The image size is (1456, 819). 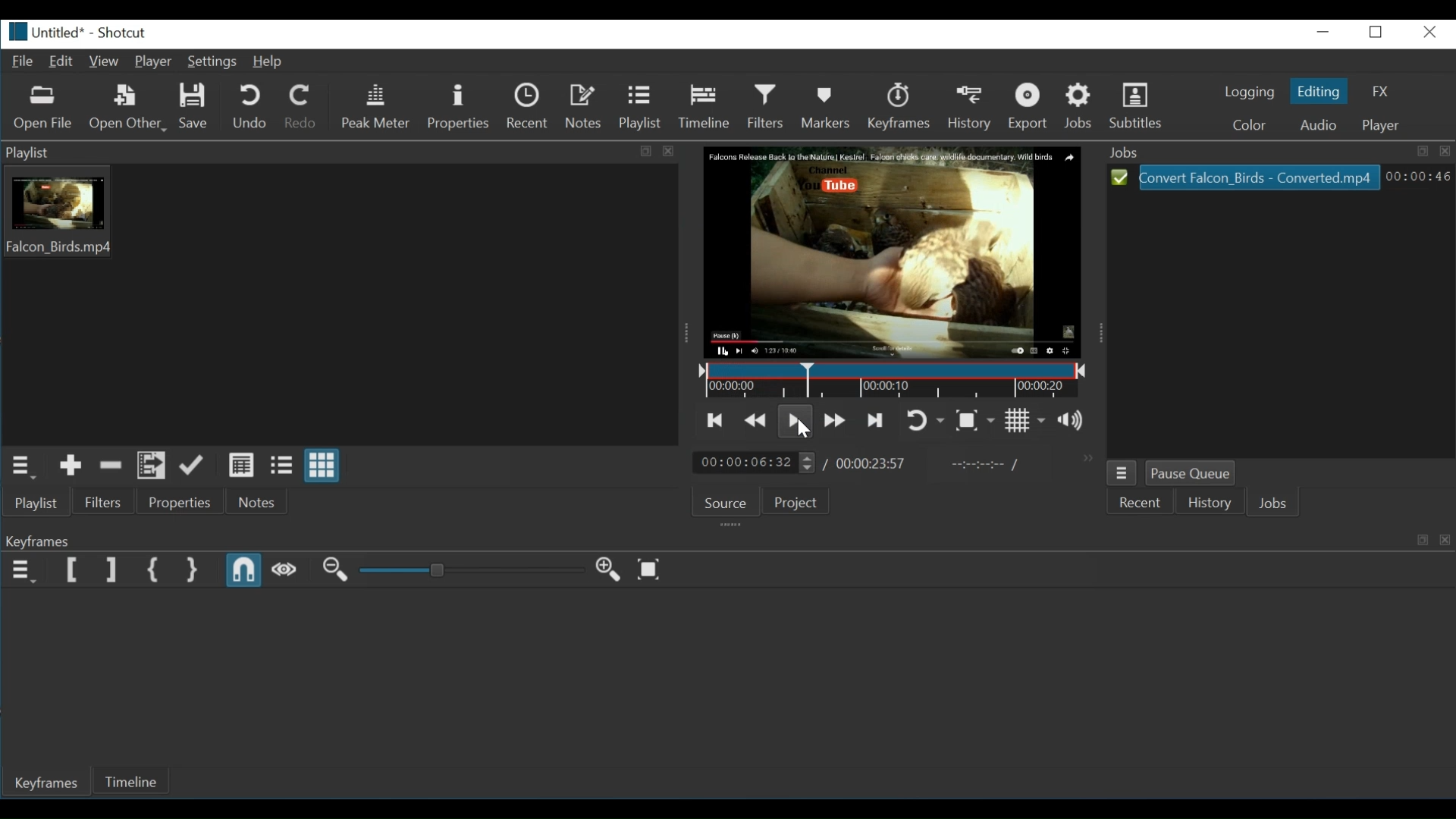 What do you see at coordinates (1136, 105) in the screenshot?
I see `Subtitles` at bounding box center [1136, 105].